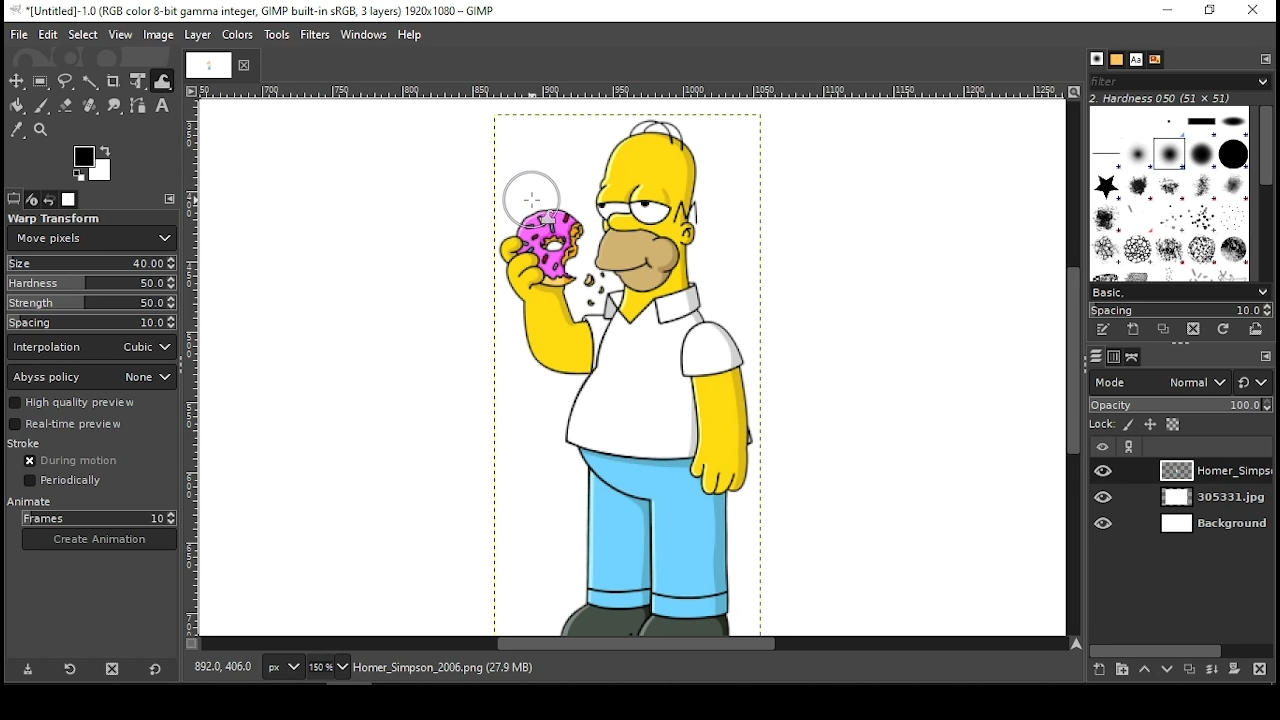 This screenshot has height=720, width=1280. Describe the element at coordinates (363, 34) in the screenshot. I see `windows` at that location.